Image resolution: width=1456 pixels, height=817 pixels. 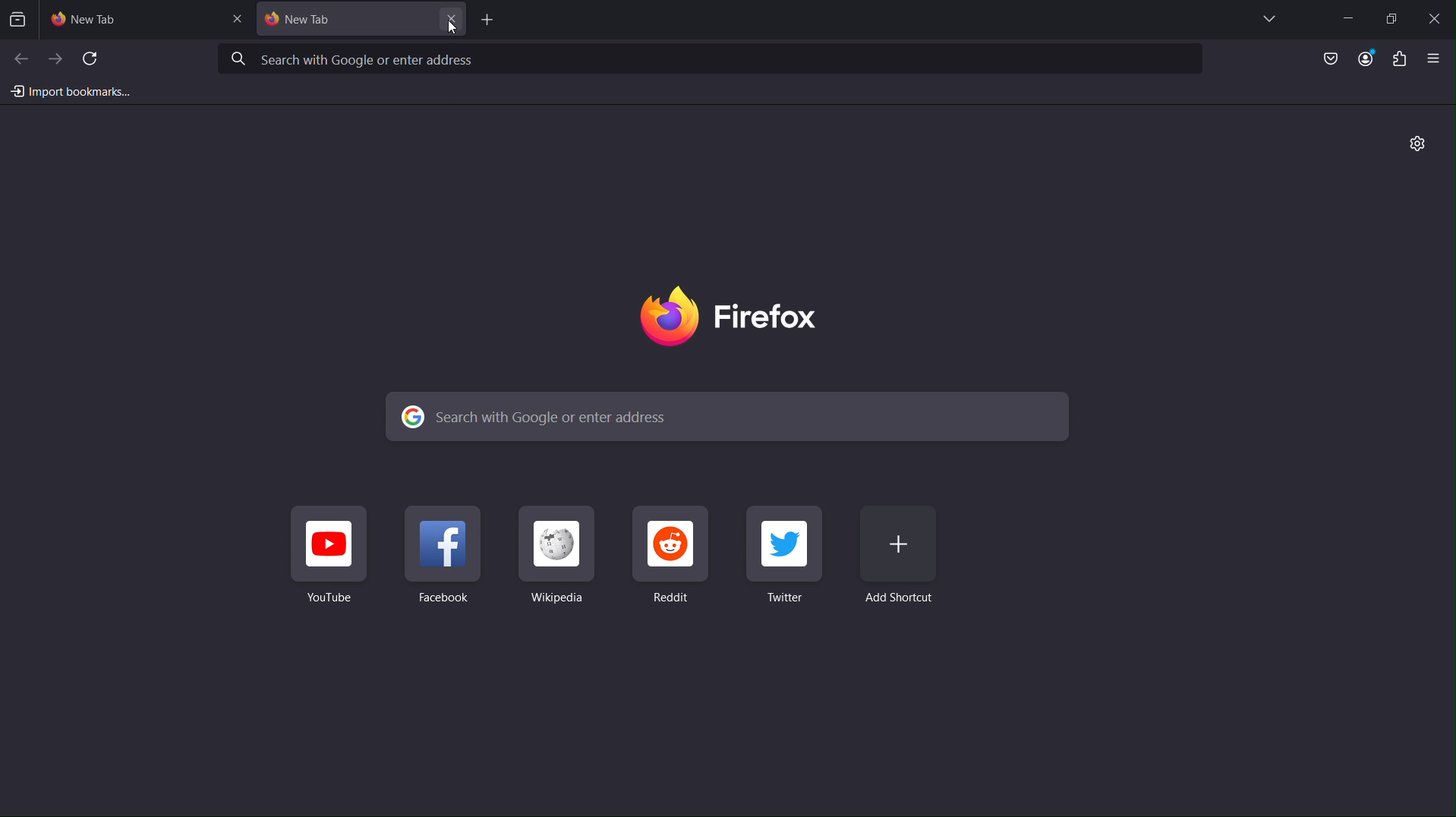 What do you see at coordinates (787, 563) in the screenshot?
I see `Twitter Shortcut` at bounding box center [787, 563].